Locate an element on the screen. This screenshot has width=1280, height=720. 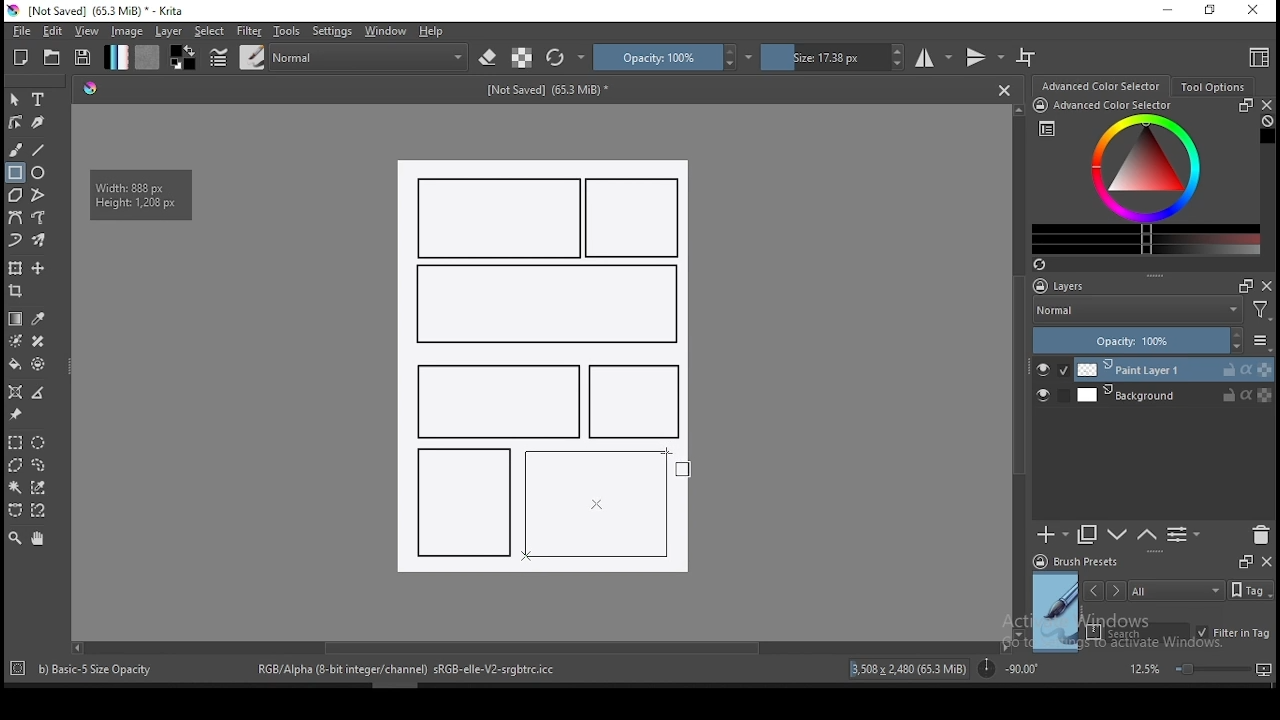
open is located at coordinates (52, 57).